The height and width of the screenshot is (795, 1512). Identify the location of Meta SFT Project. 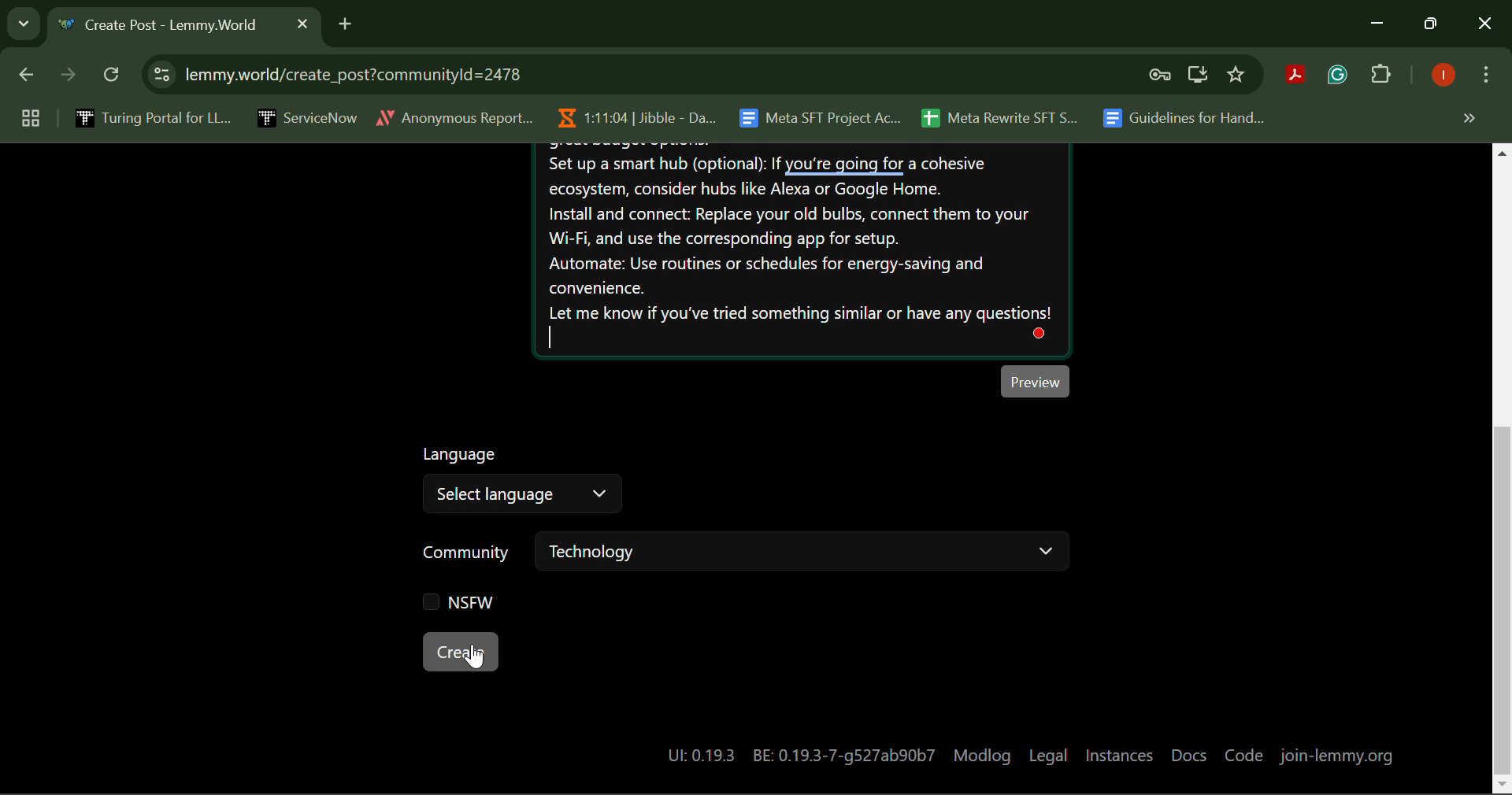
(822, 116).